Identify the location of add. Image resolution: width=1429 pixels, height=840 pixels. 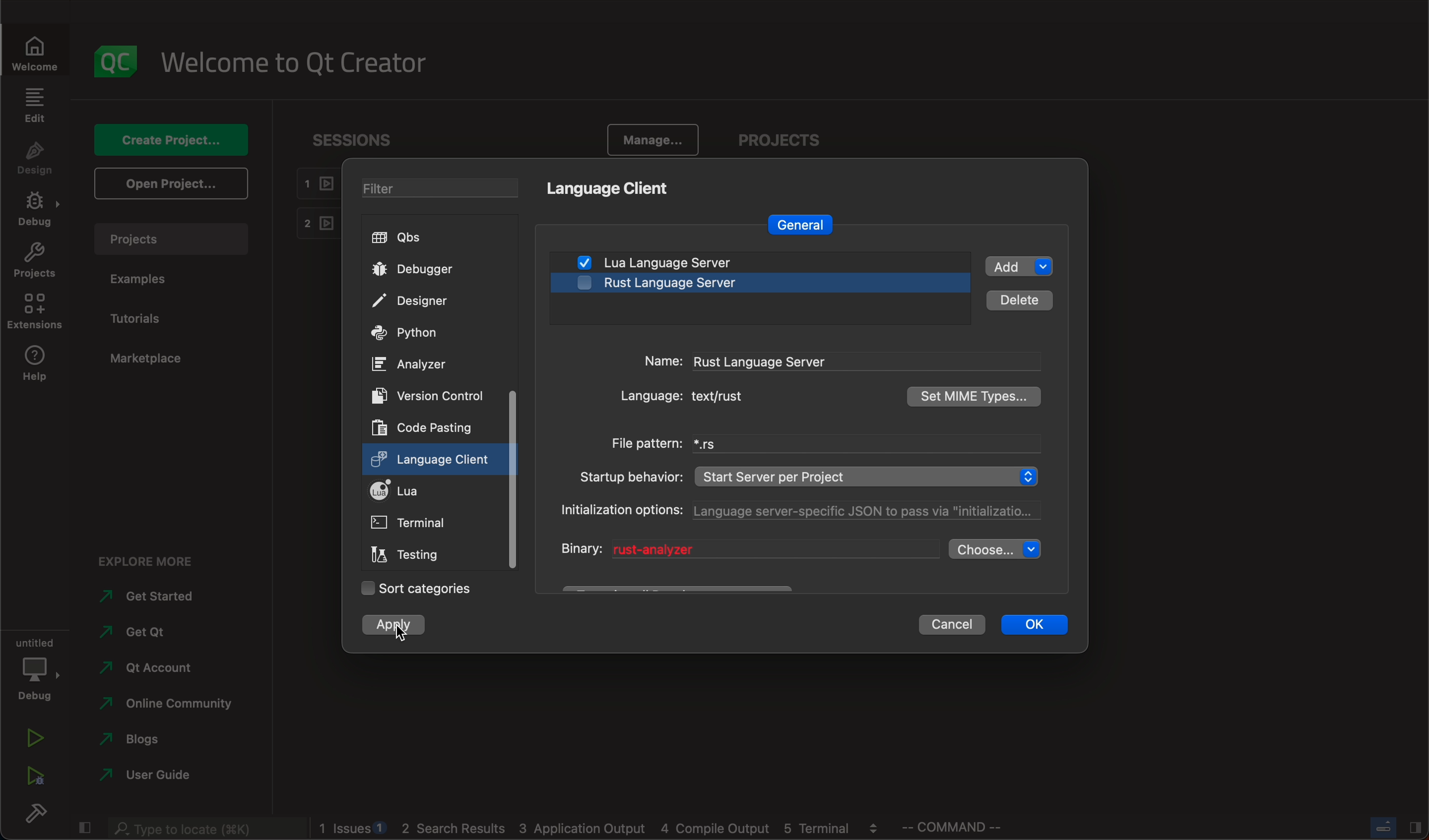
(1021, 266).